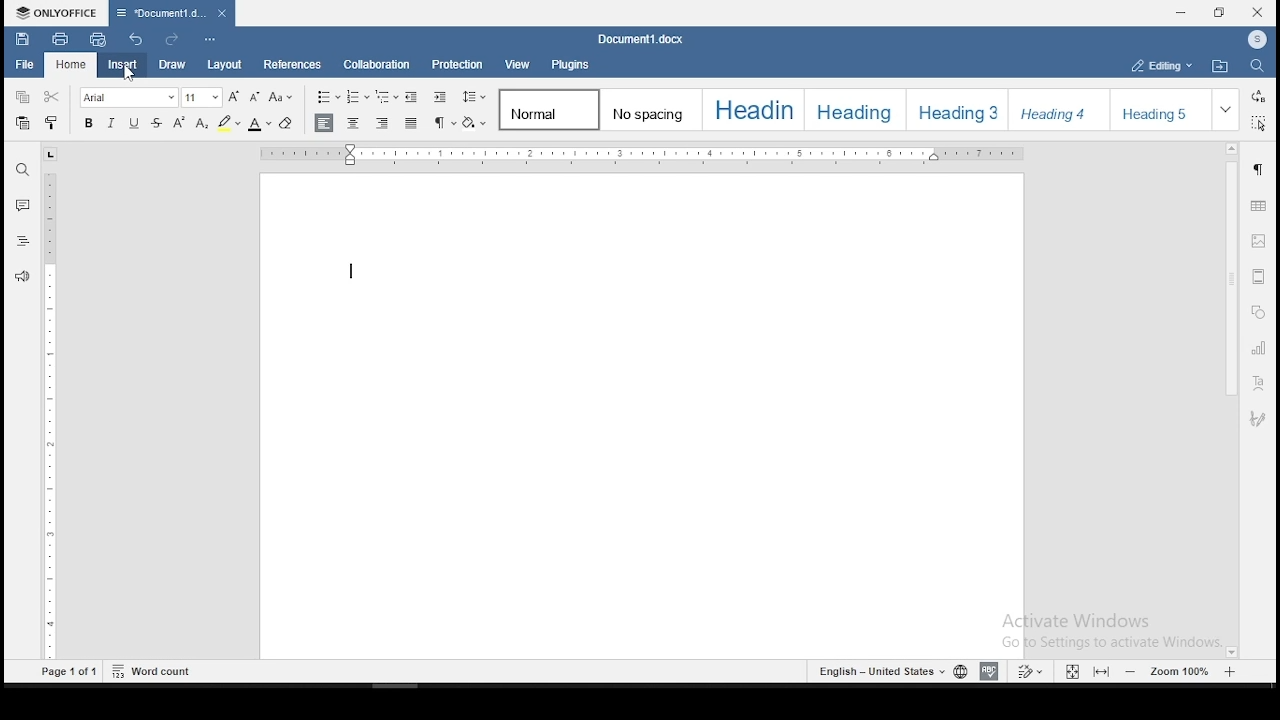 The height and width of the screenshot is (720, 1280). Describe the element at coordinates (152, 670) in the screenshot. I see `Word Count` at that location.